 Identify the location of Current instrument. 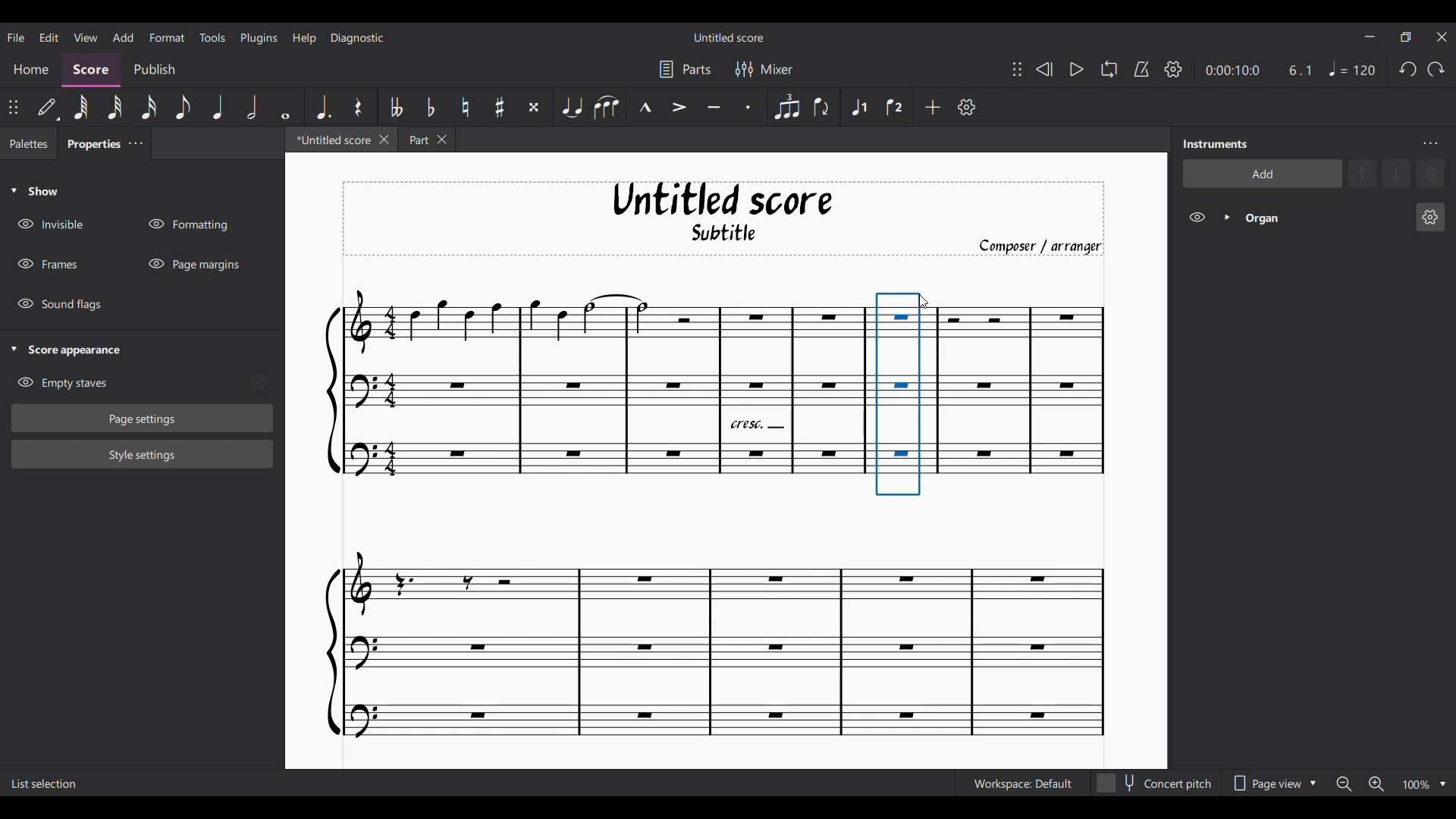
(1324, 218).